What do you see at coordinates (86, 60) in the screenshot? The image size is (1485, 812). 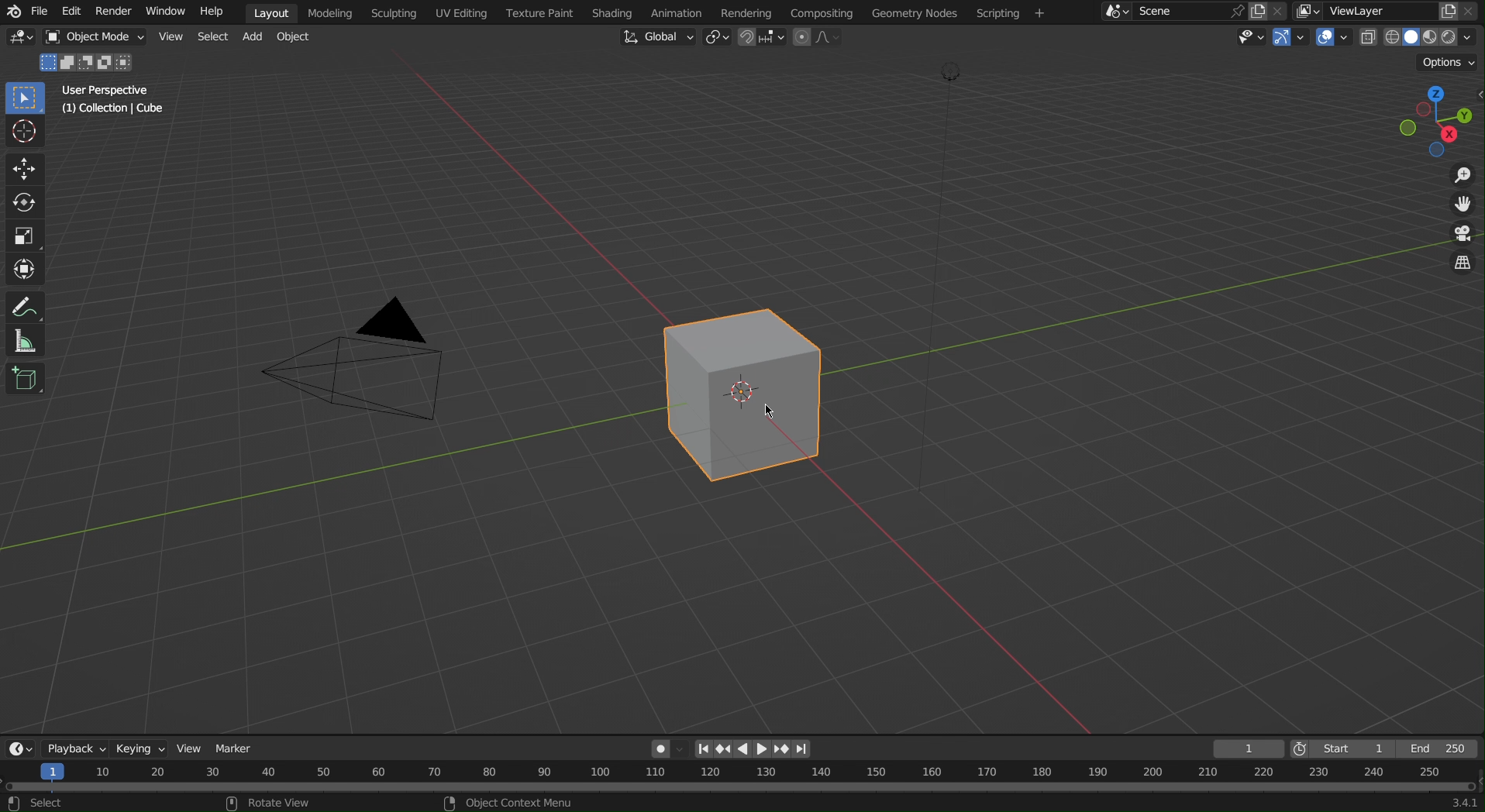 I see `Object 1` at bounding box center [86, 60].